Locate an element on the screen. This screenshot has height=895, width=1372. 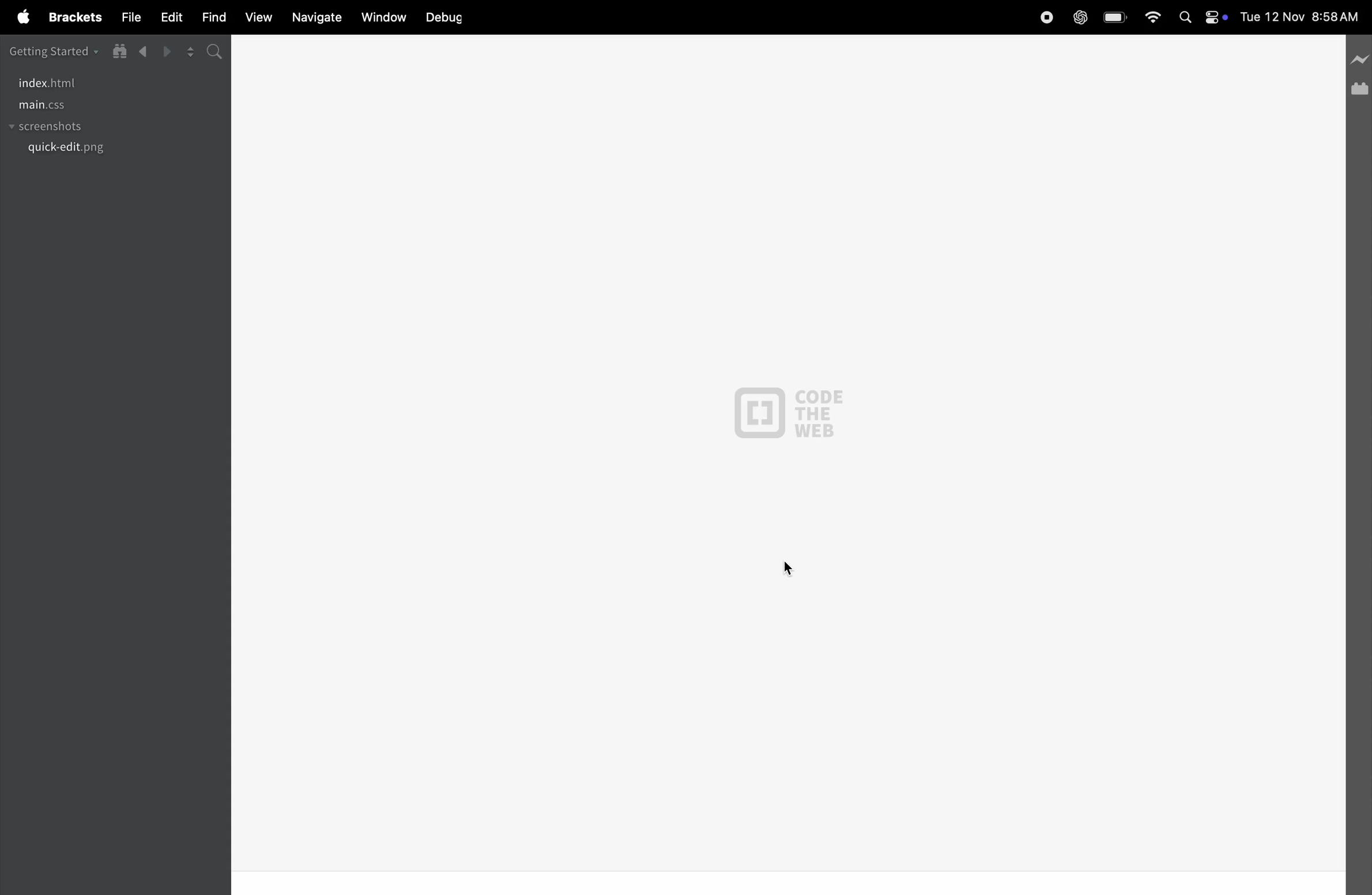
brackets is located at coordinates (71, 18).